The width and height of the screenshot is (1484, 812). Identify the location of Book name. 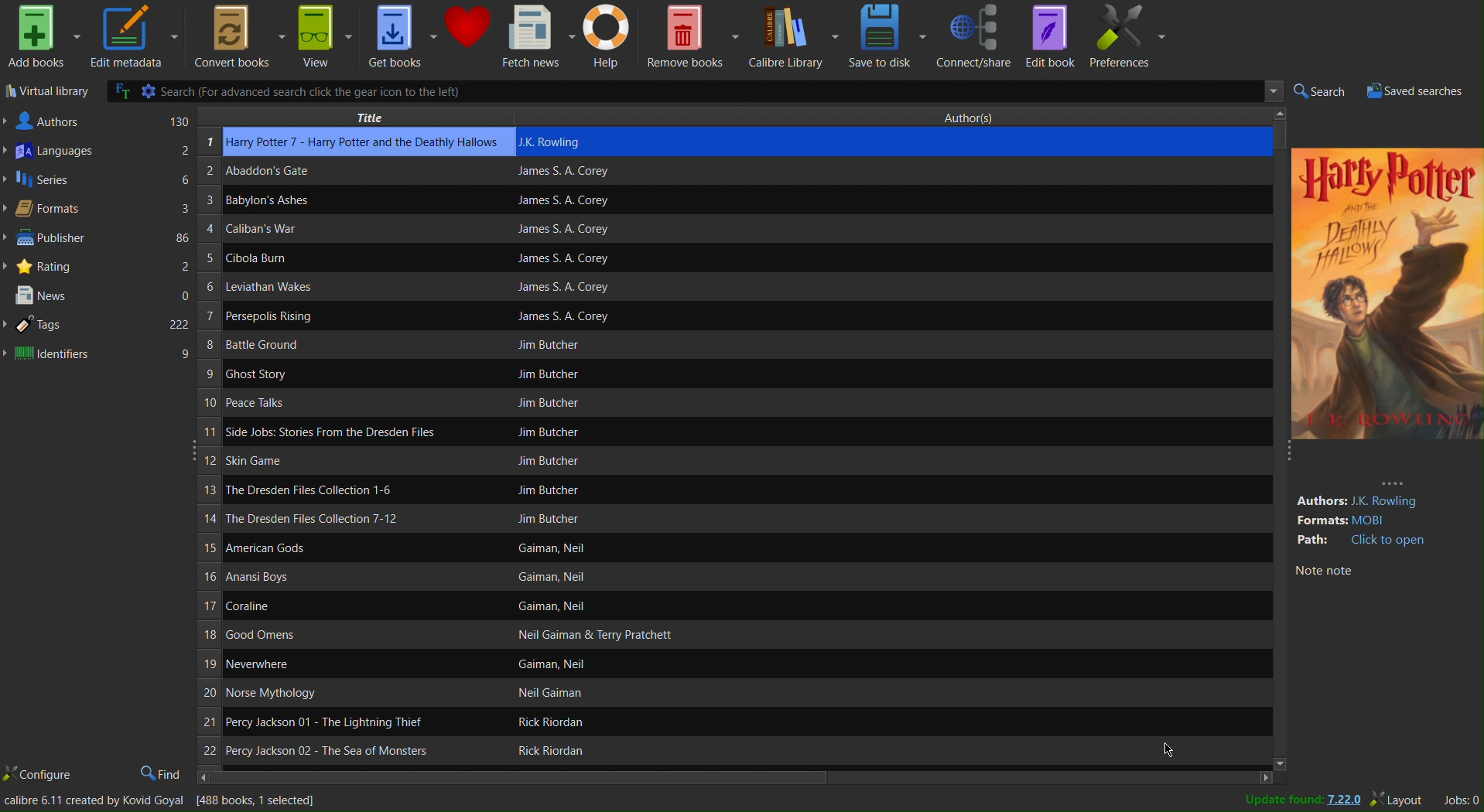
(292, 373).